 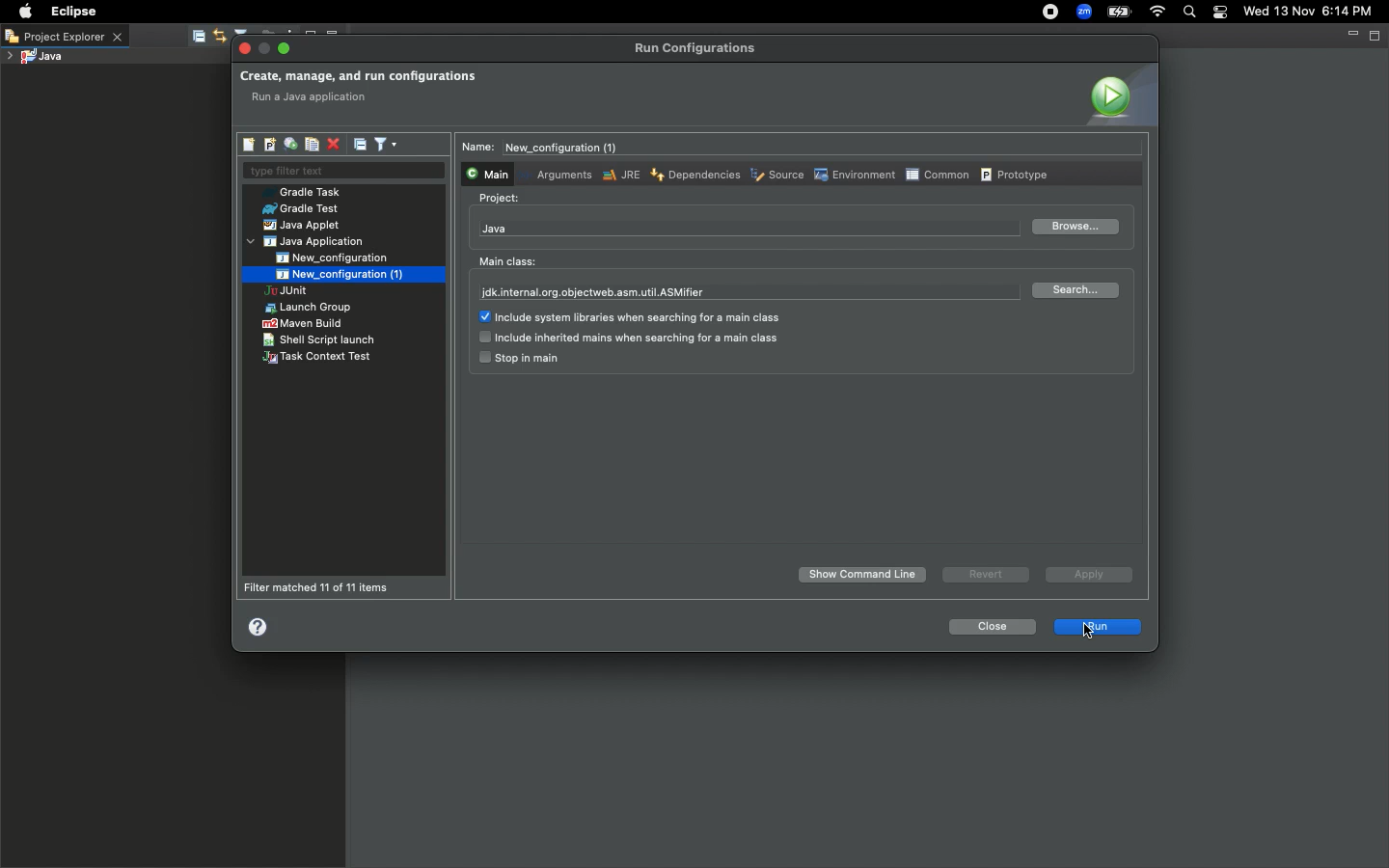 I want to click on main type not specified, so click(x=315, y=98).